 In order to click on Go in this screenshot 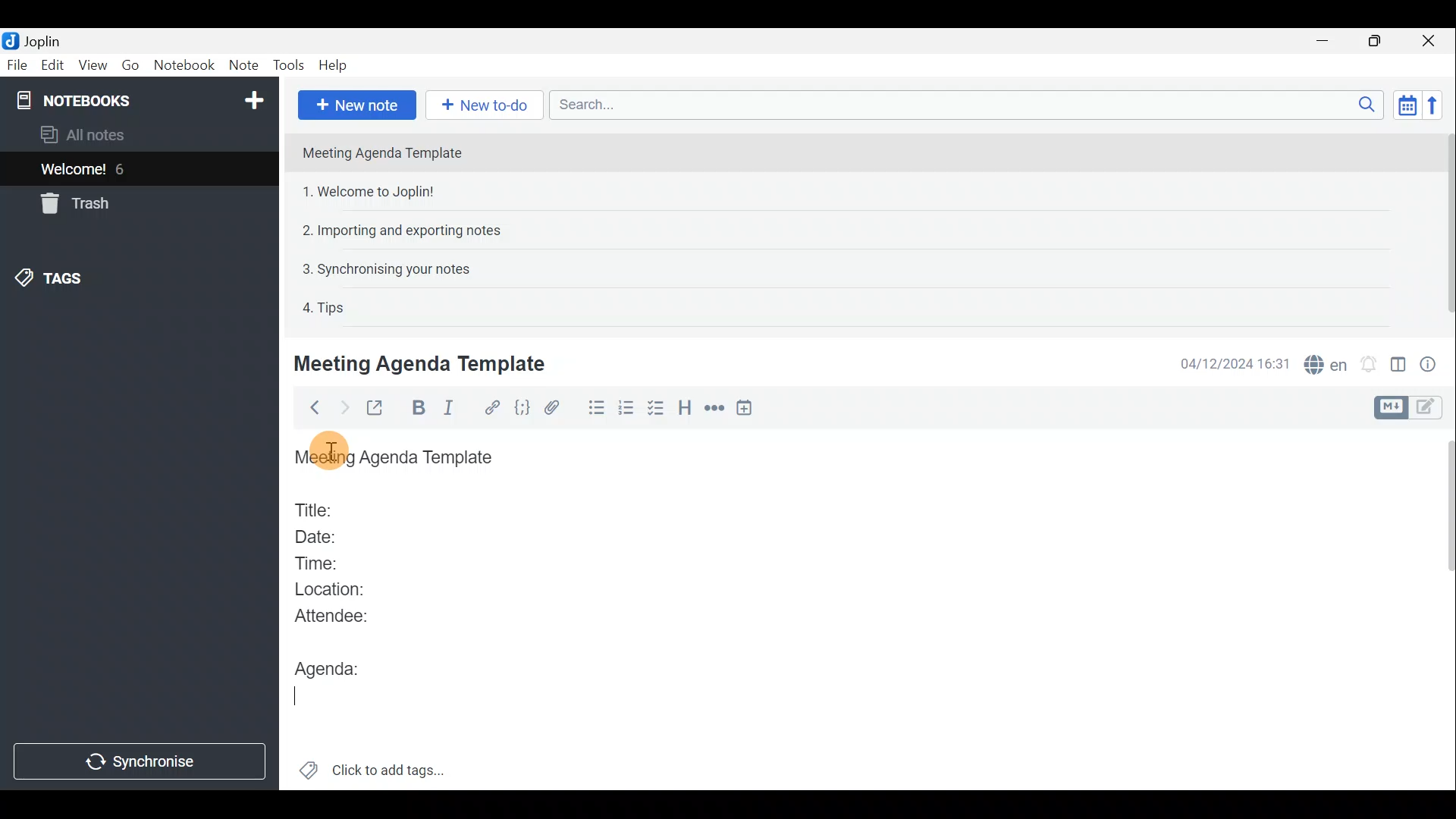, I will do `click(130, 64)`.